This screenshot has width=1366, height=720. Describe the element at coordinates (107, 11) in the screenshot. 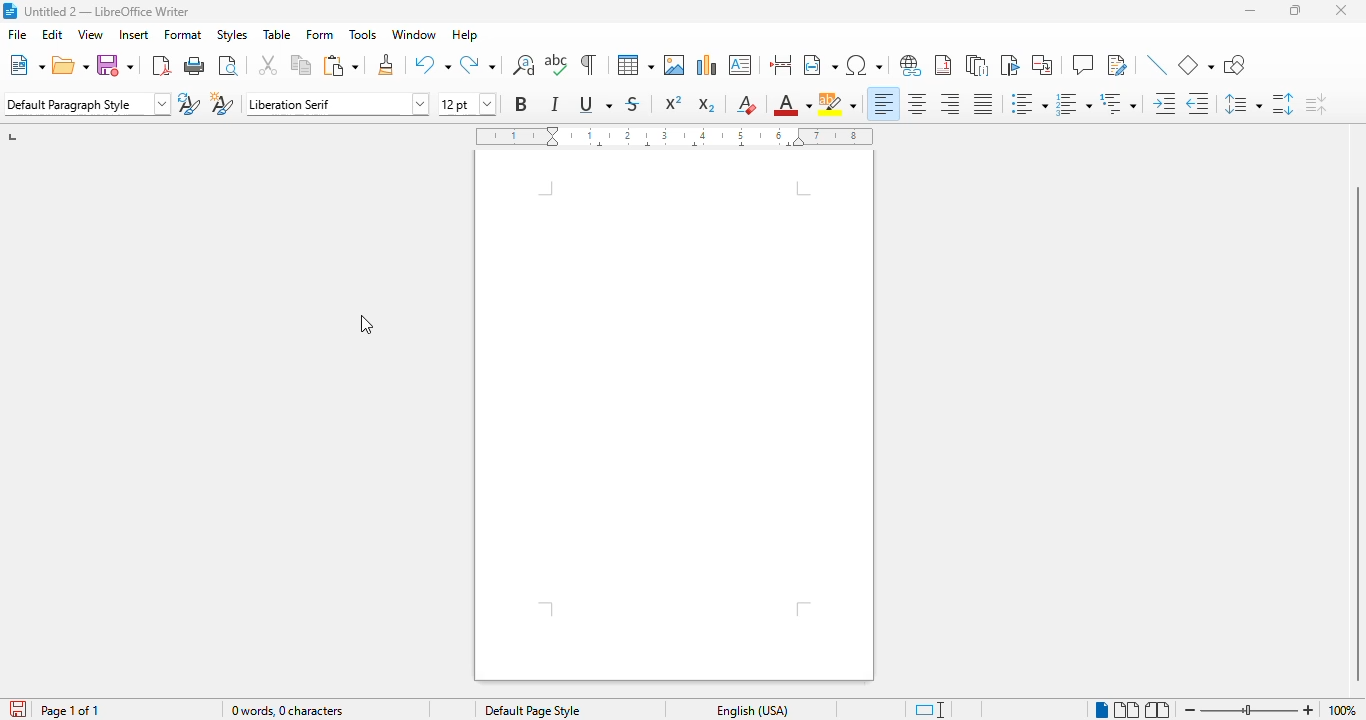

I see `title` at that location.